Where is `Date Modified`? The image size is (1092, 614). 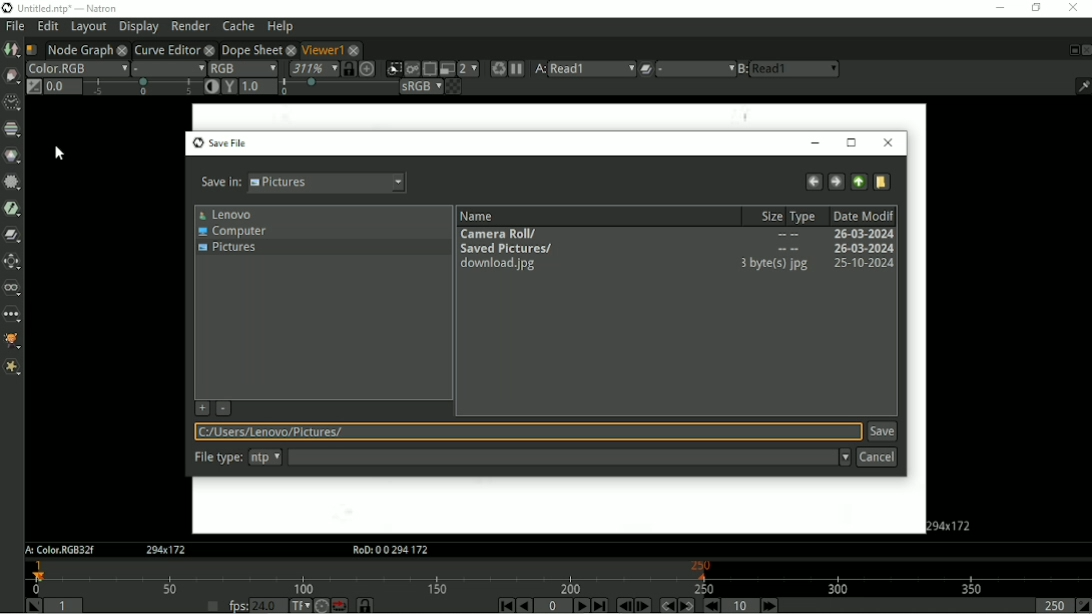 Date Modified is located at coordinates (863, 215).